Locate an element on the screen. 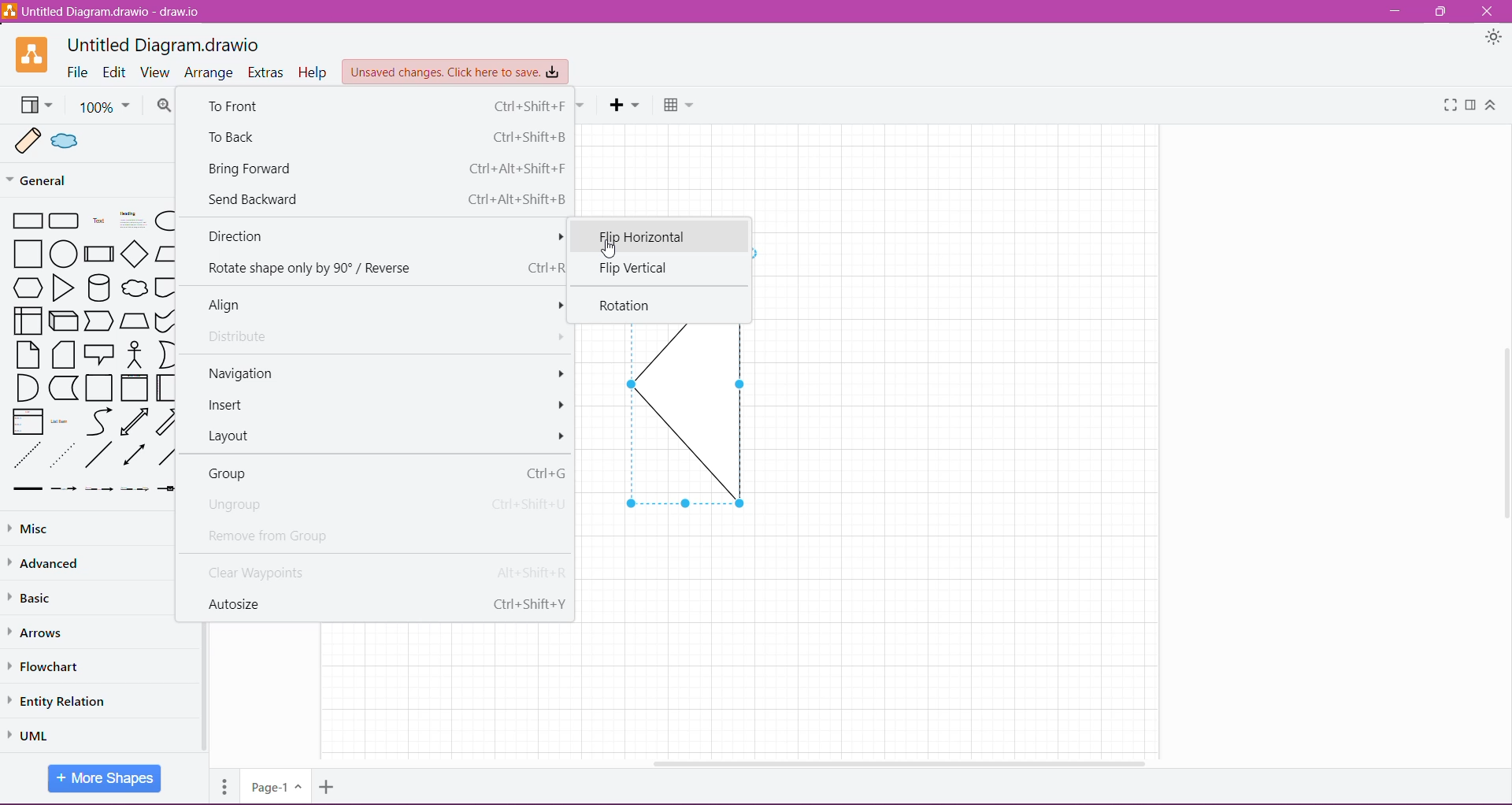  Flip Horizontal is located at coordinates (645, 236).